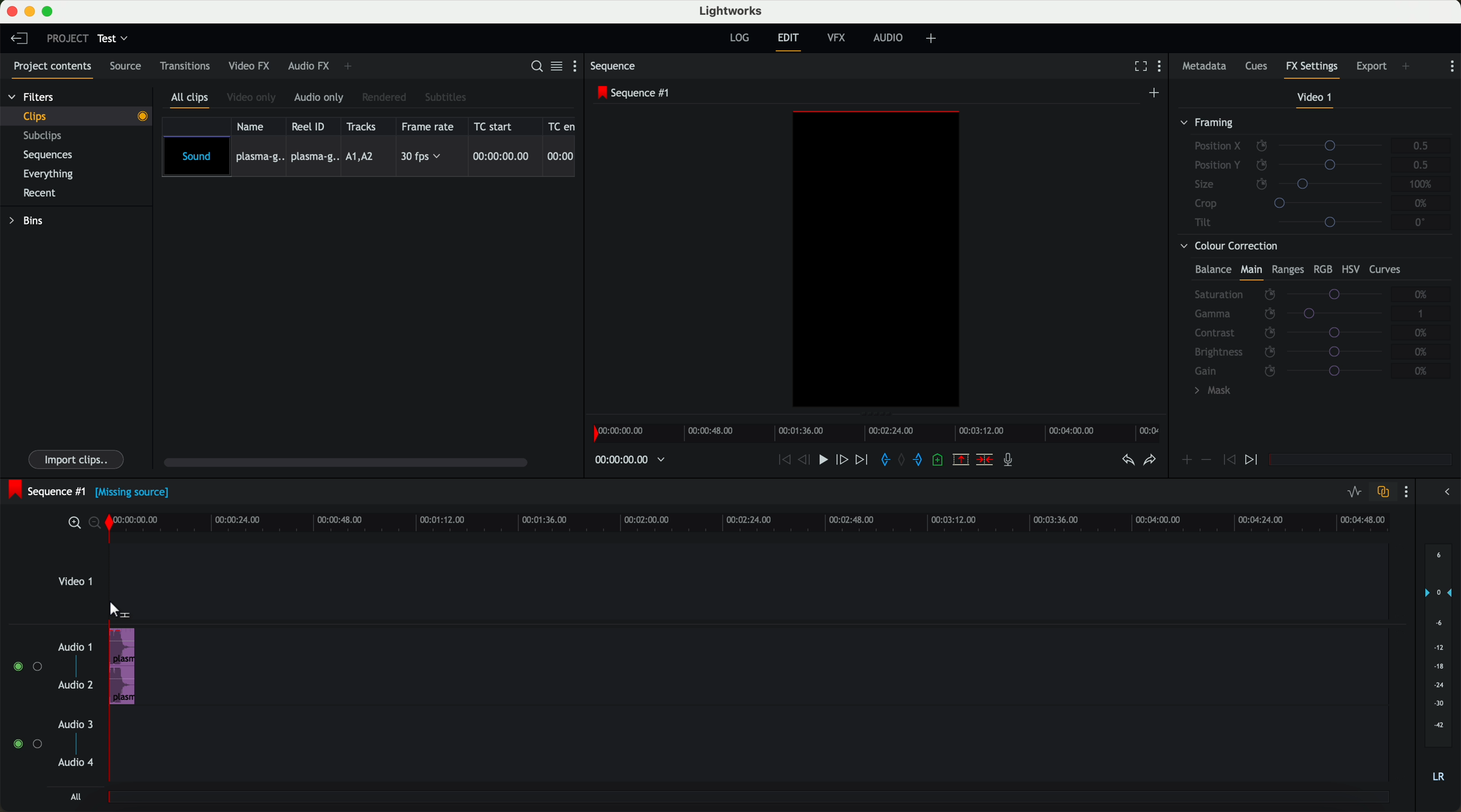 The image size is (1461, 812). What do you see at coordinates (1253, 460) in the screenshot?
I see `jump to next keyframe` at bounding box center [1253, 460].